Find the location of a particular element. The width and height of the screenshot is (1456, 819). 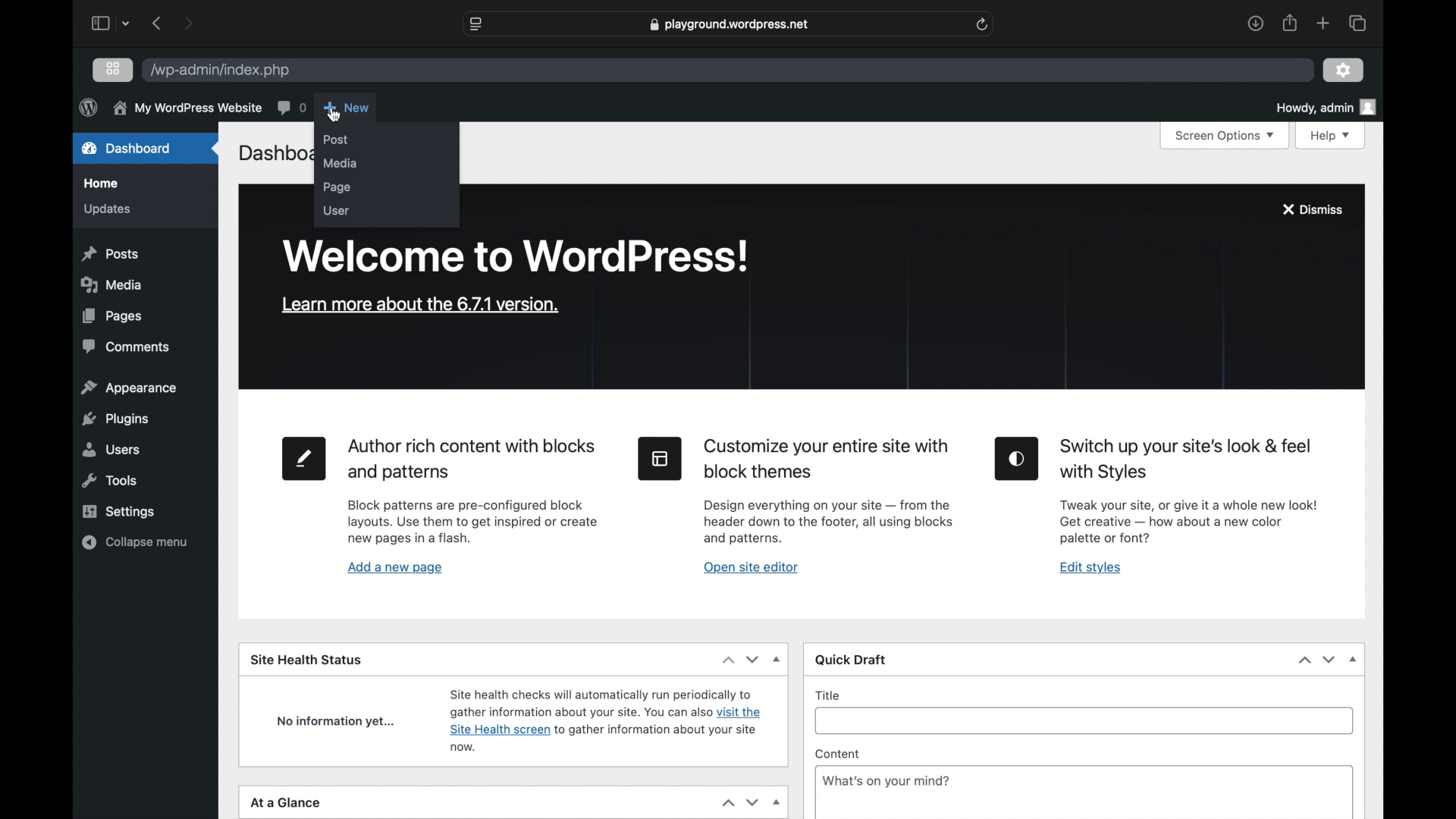

downloads is located at coordinates (1256, 23).